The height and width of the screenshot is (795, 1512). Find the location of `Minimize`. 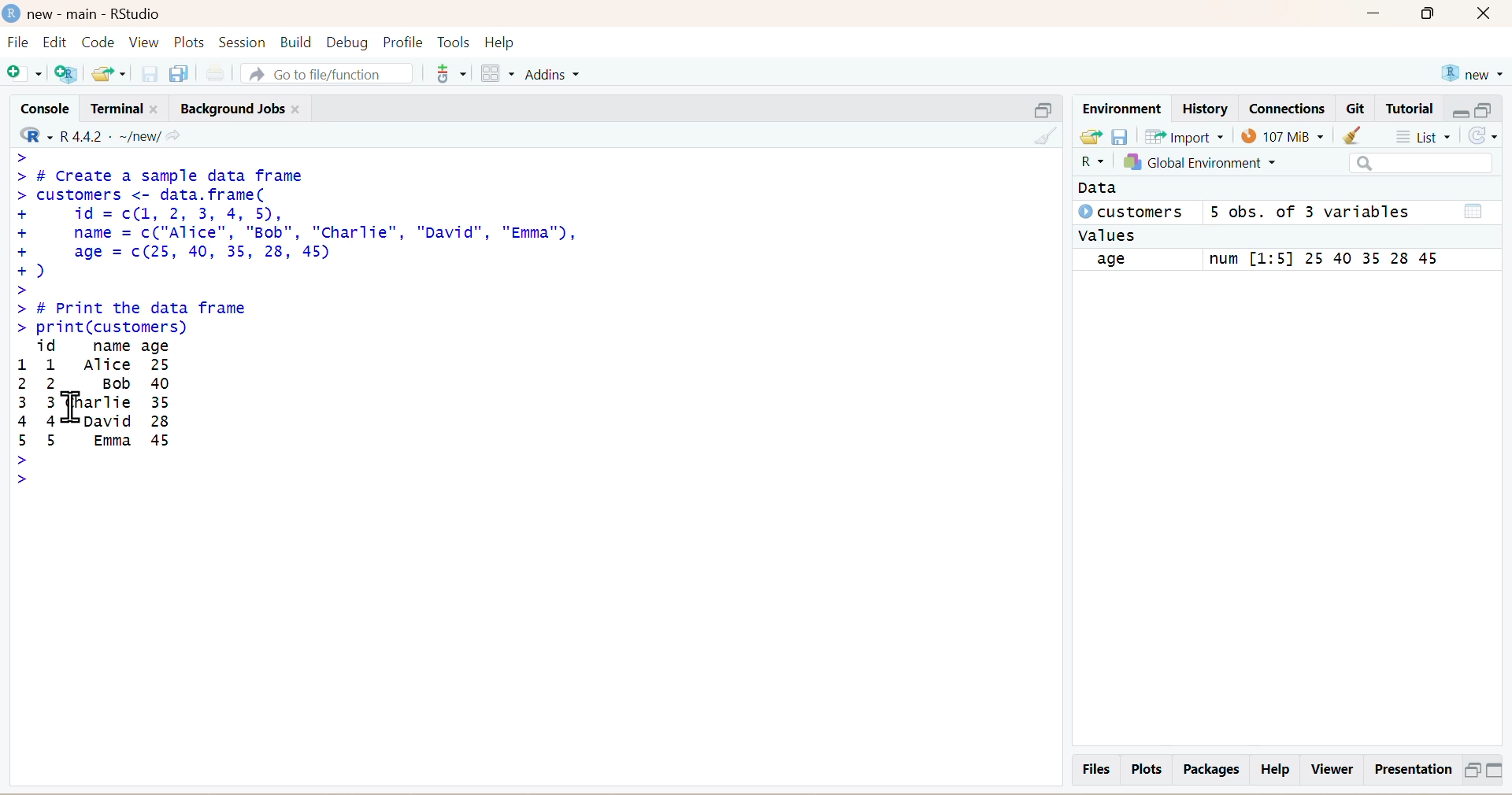

Minimize is located at coordinates (1499, 771).